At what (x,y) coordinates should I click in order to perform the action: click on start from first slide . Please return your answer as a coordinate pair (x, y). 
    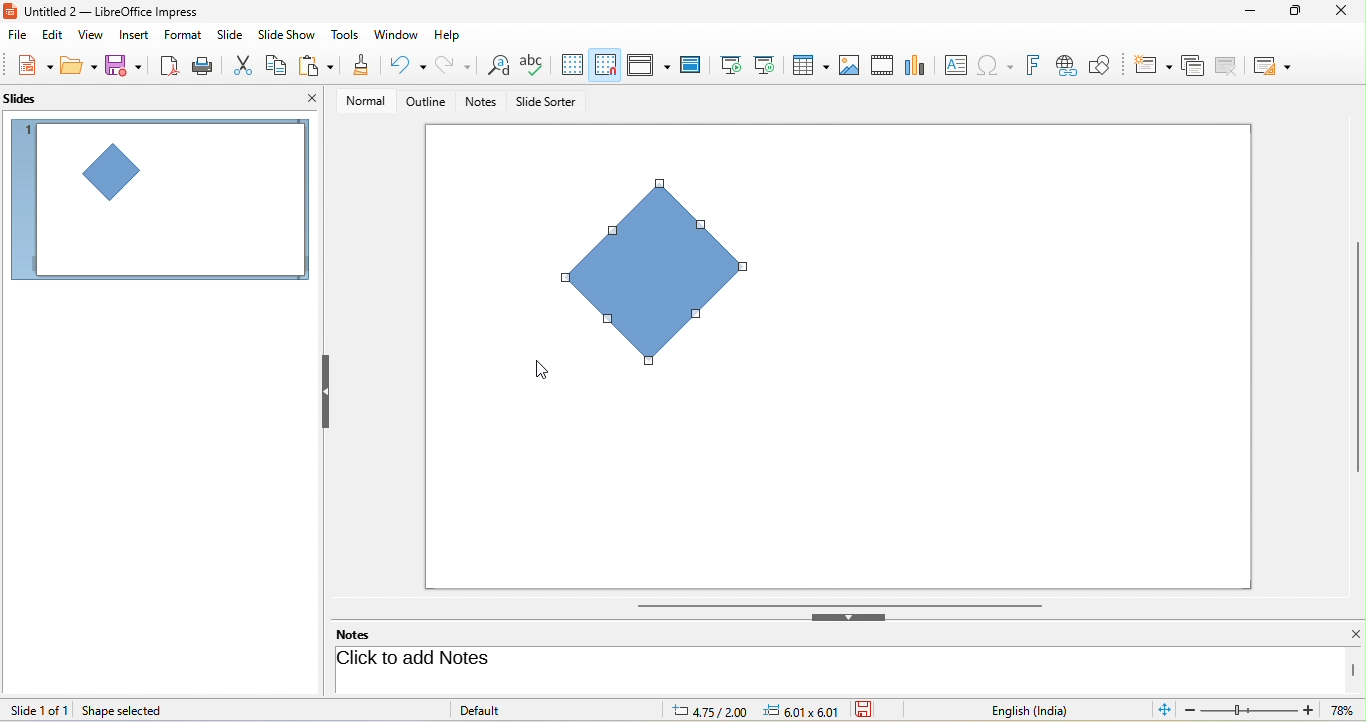
    Looking at the image, I should click on (731, 64).